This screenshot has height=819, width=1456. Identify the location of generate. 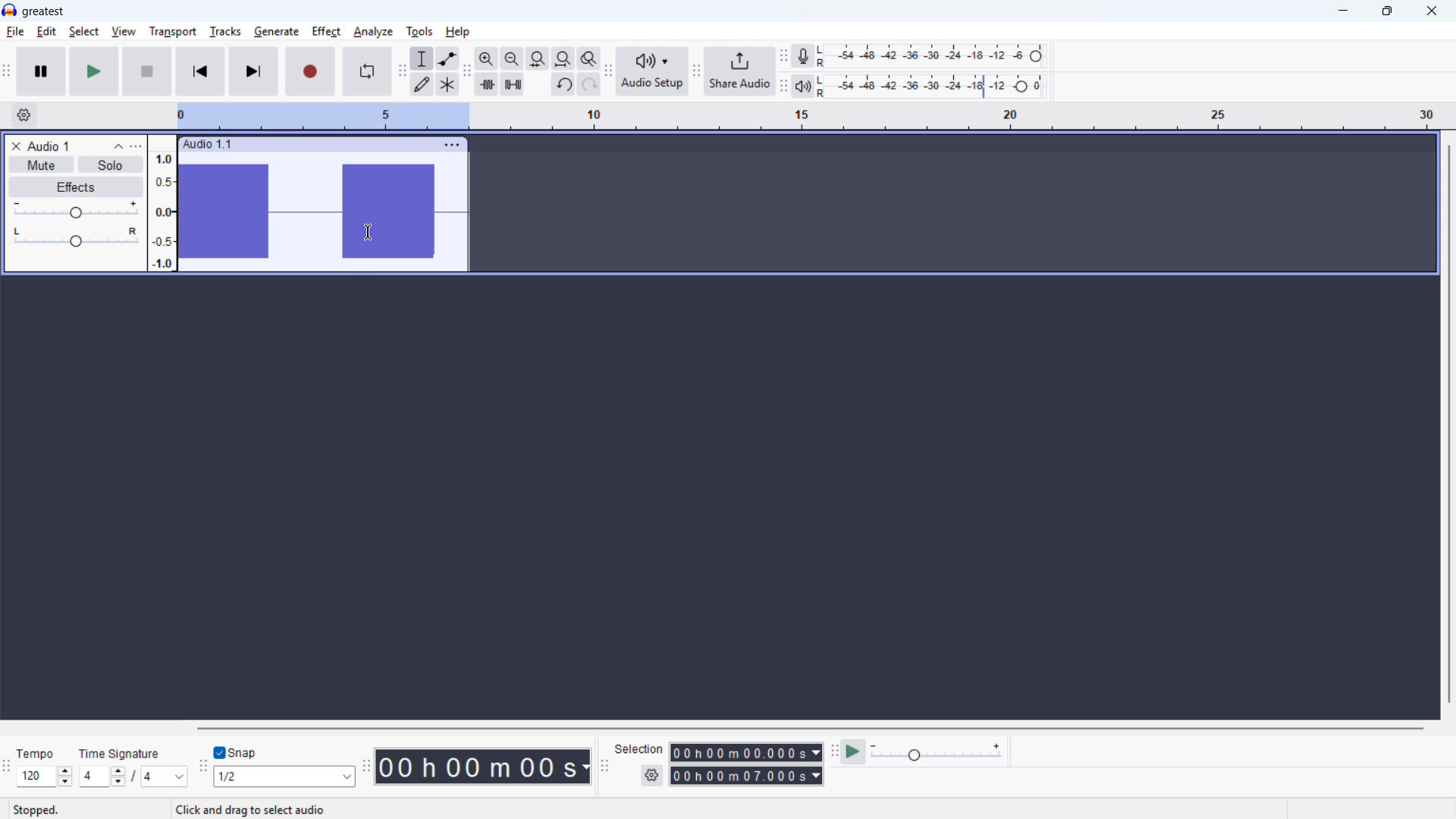
(277, 33).